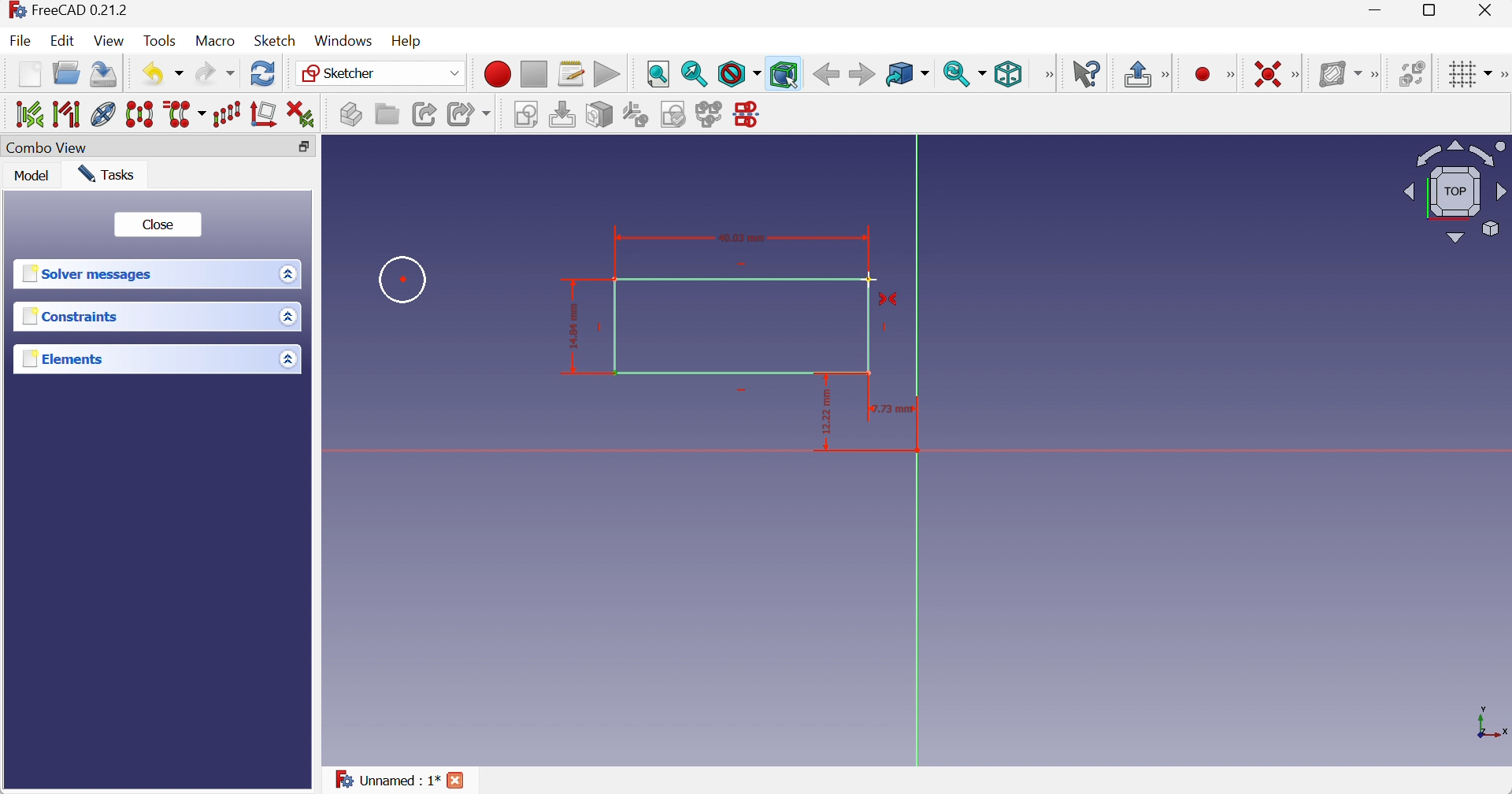 The image size is (1512, 794). What do you see at coordinates (739, 74) in the screenshot?
I see `Draw style` at bounding box center [739, 74].